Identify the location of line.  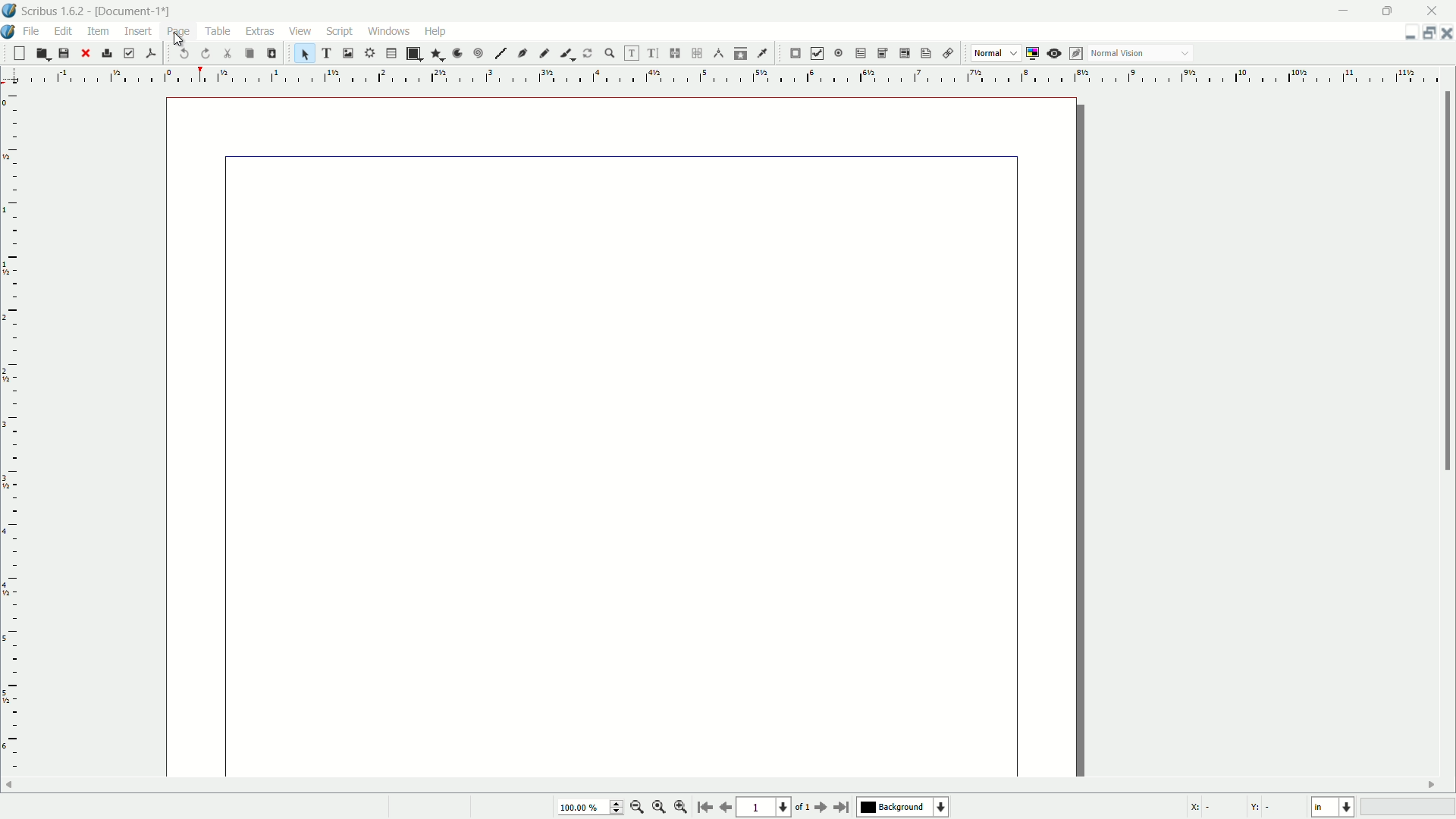
(500, 54).